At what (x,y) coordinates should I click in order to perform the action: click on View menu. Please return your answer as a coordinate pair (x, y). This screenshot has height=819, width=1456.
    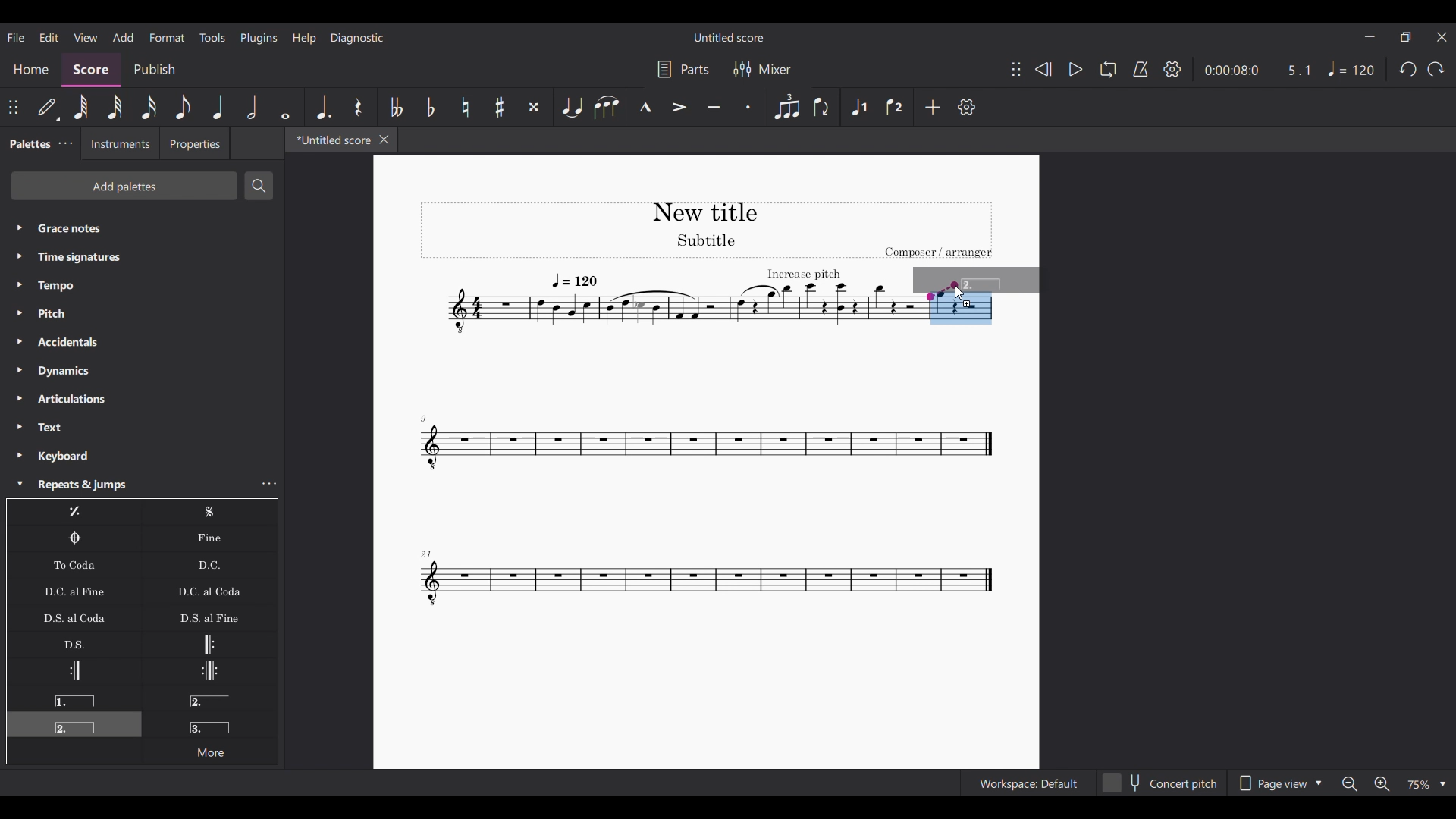
    Looking at the image, I should click on (86, 37).